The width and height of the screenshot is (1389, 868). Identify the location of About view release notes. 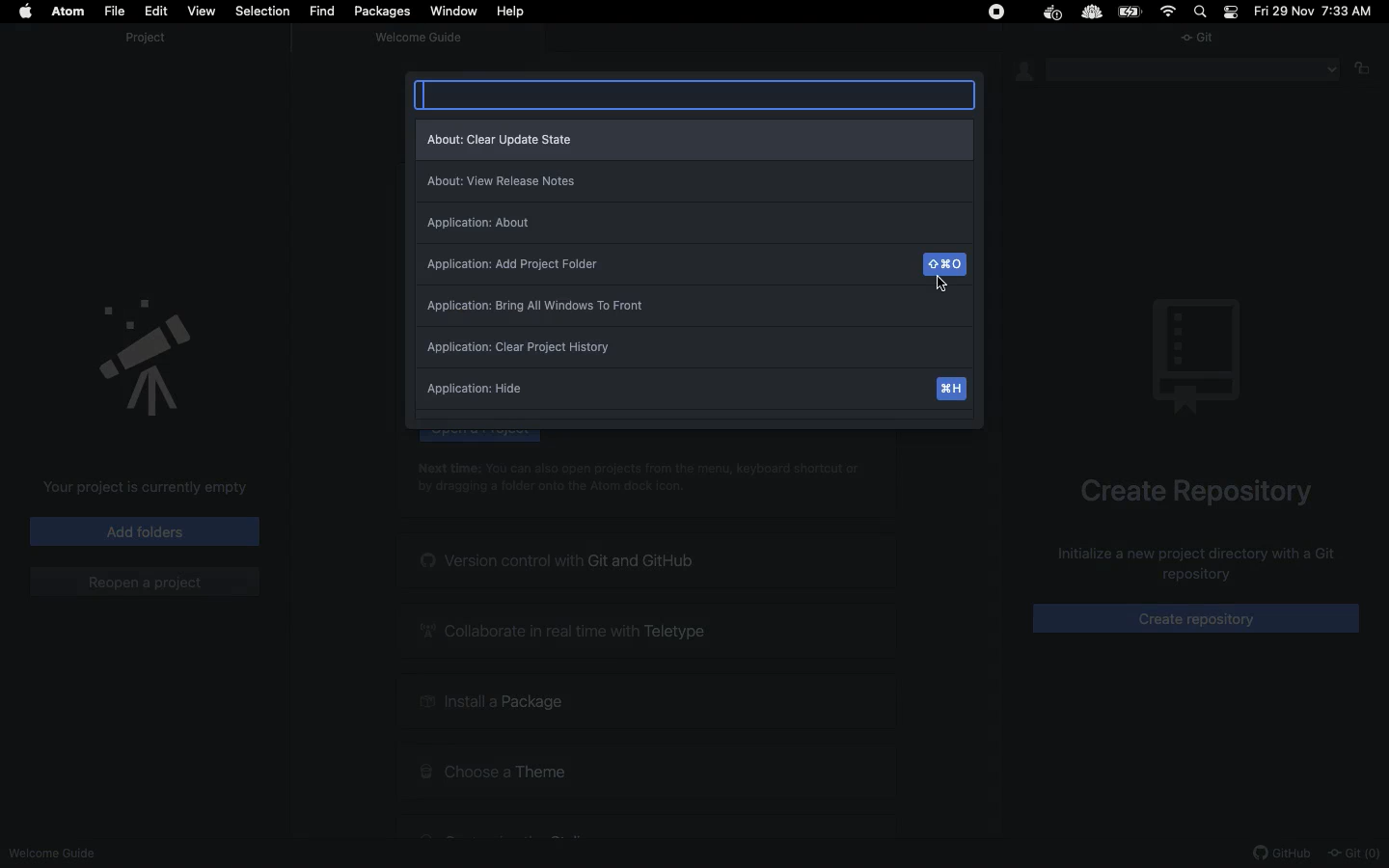
(694, 183).